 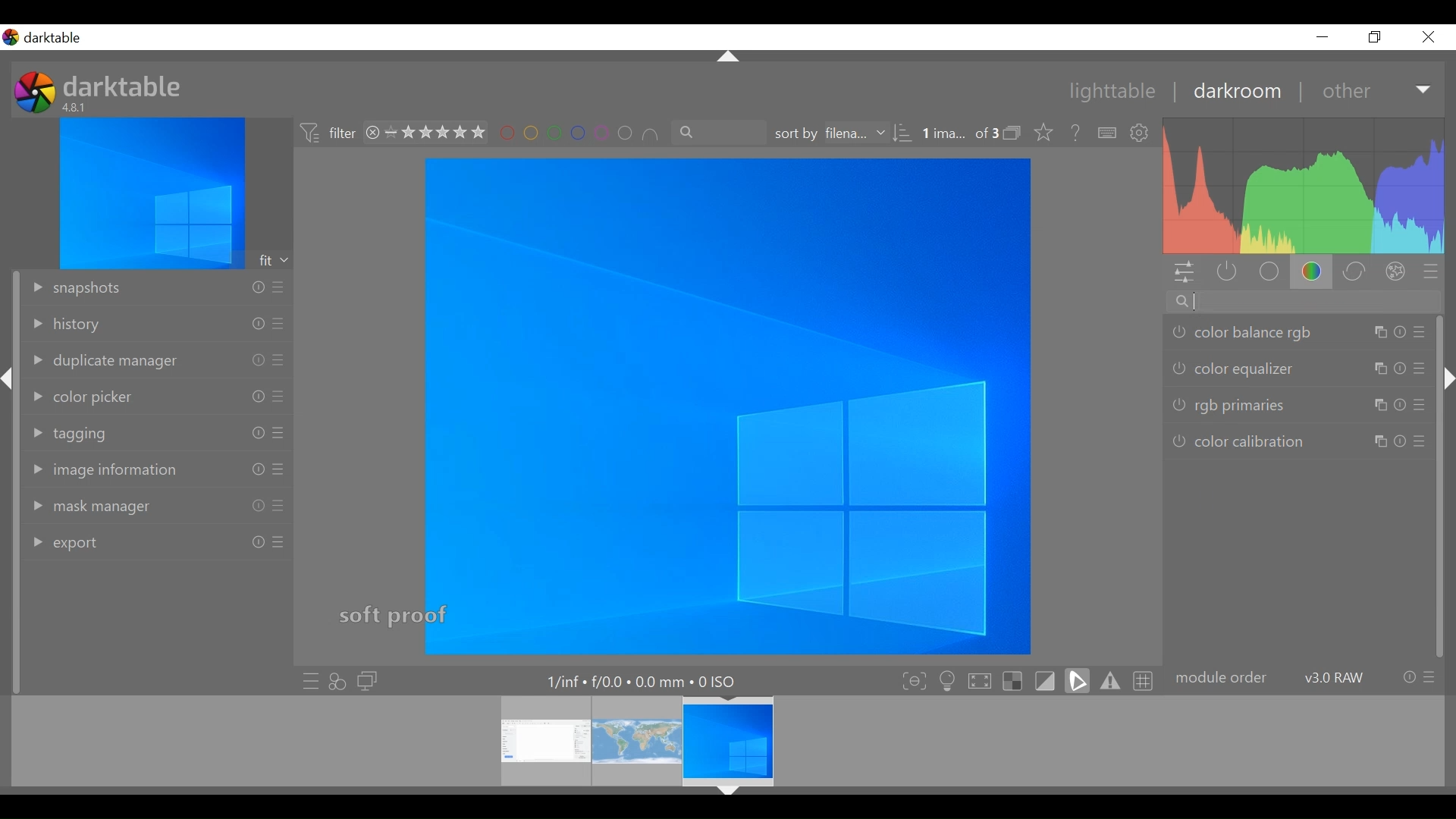 What do you see at coordinates (279, 542) in the screenshot?
I see `presets` at bounding box center [279, 542].